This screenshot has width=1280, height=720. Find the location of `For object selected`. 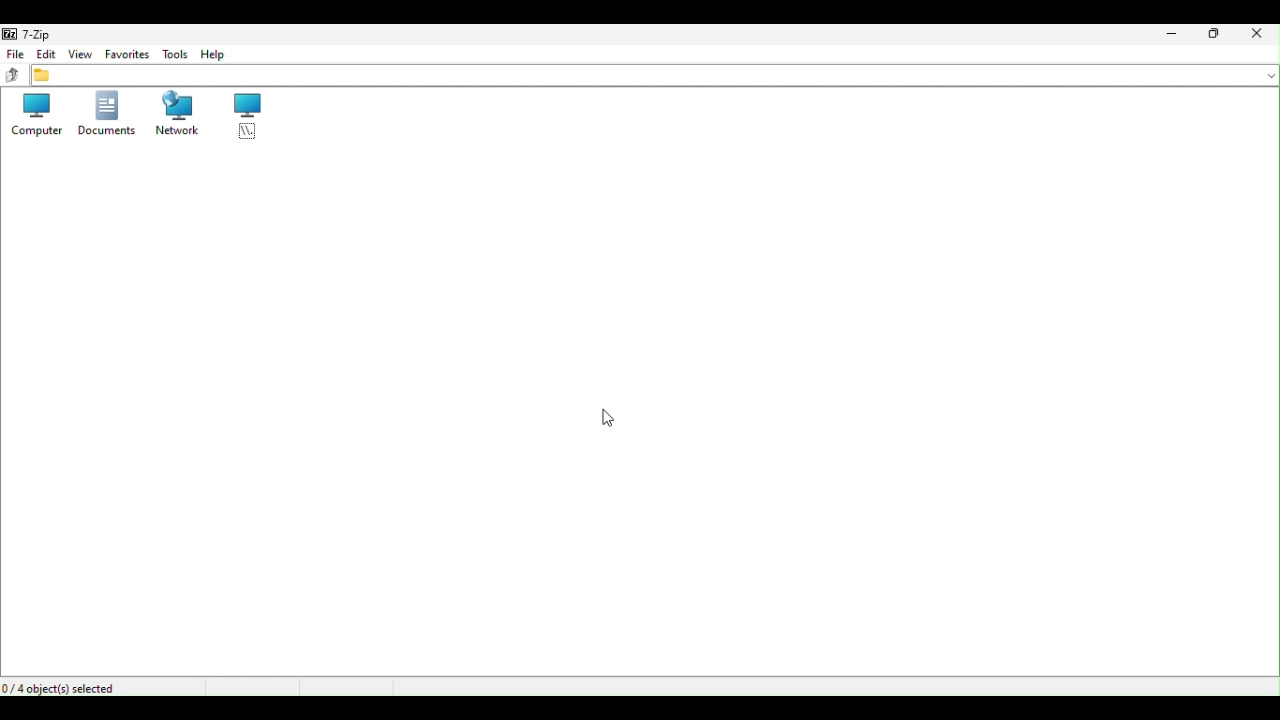

For object selected is located at coordinates (68, 686).